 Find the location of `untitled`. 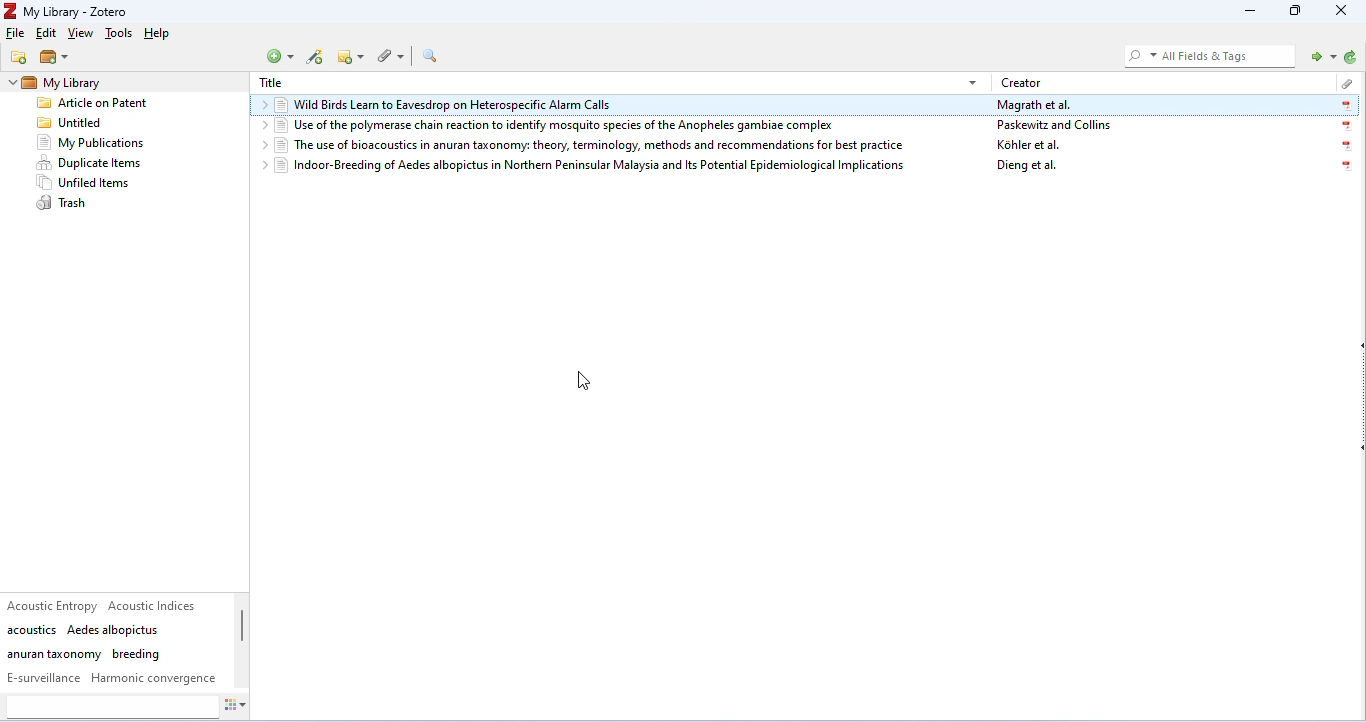

untitled is located at coordinates (70, 124).